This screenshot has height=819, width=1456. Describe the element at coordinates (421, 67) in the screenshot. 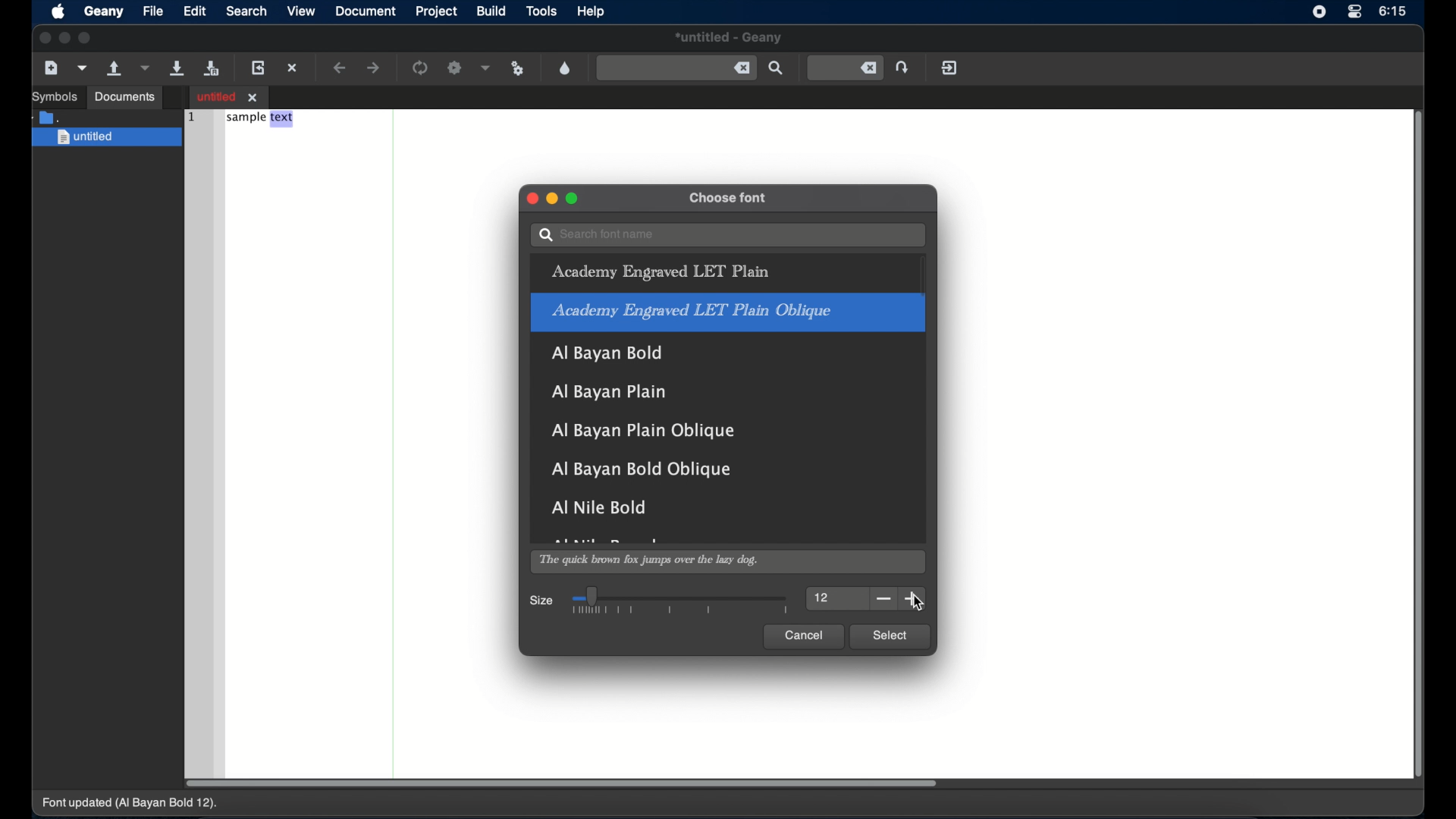

I see `compile the current file` at that location.